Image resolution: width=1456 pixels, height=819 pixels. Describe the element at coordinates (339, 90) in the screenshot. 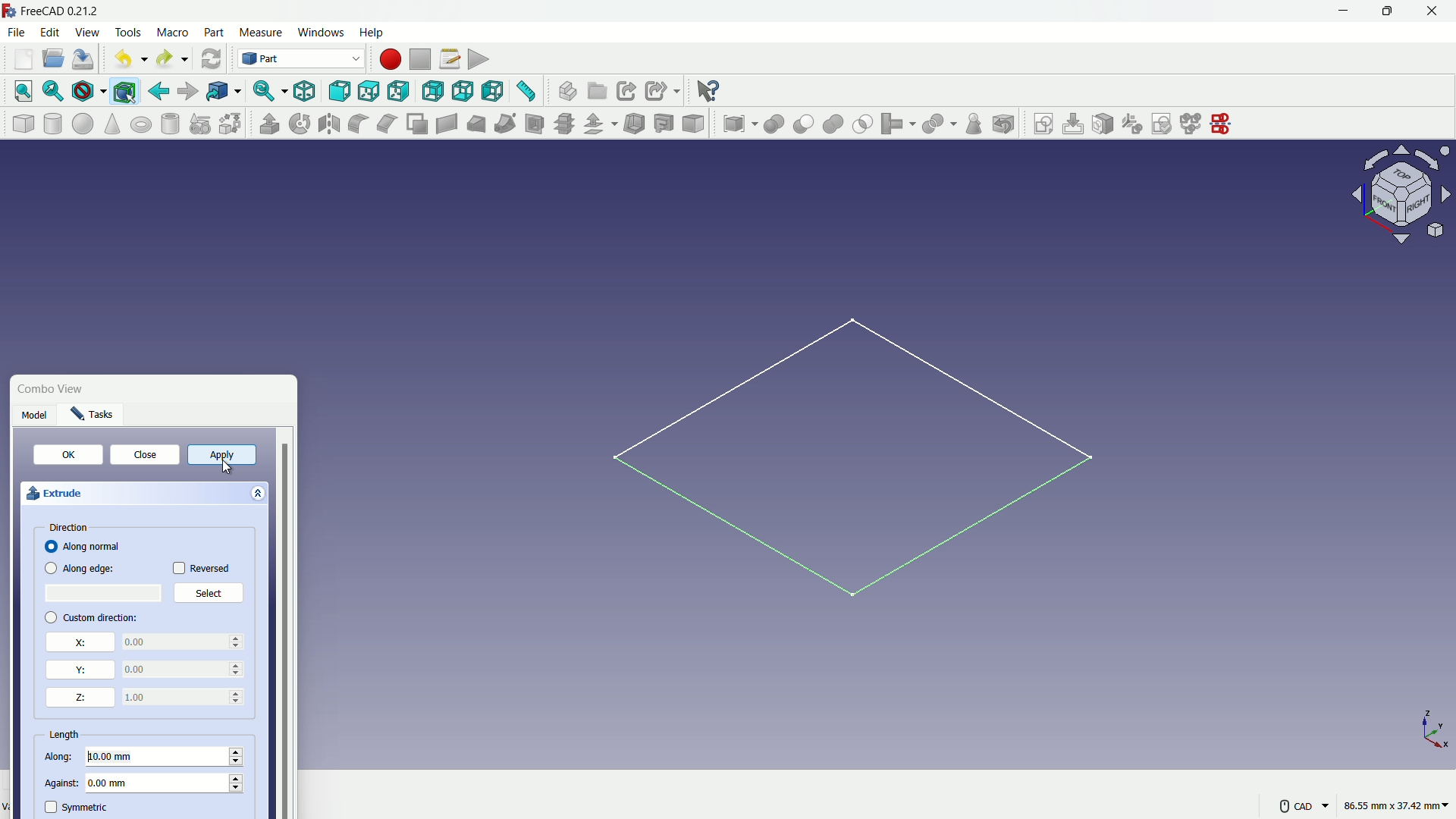

I see `front view` at that location.